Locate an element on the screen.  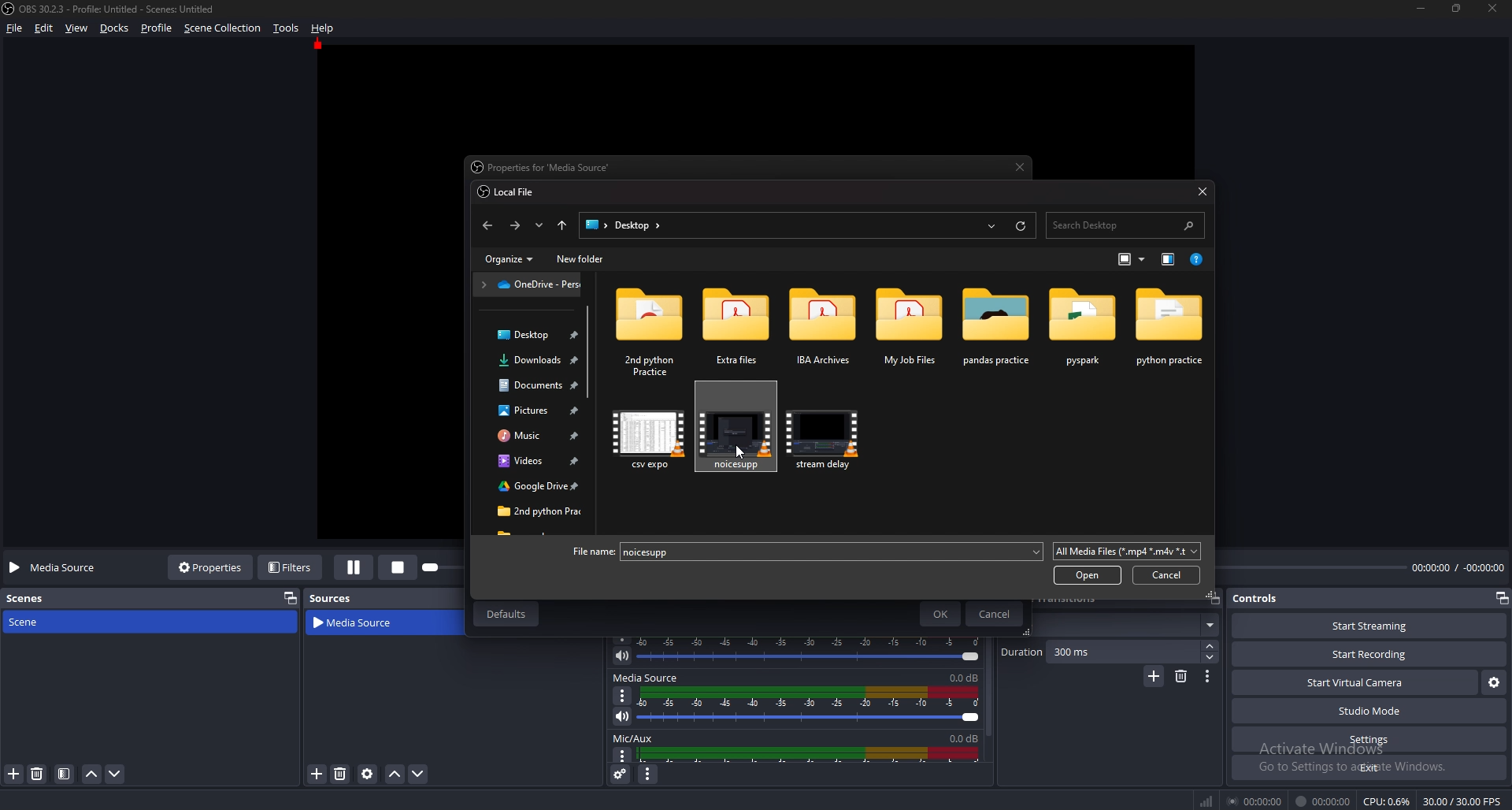
Remove configurable transitions is located at coordinates (1182, 675).